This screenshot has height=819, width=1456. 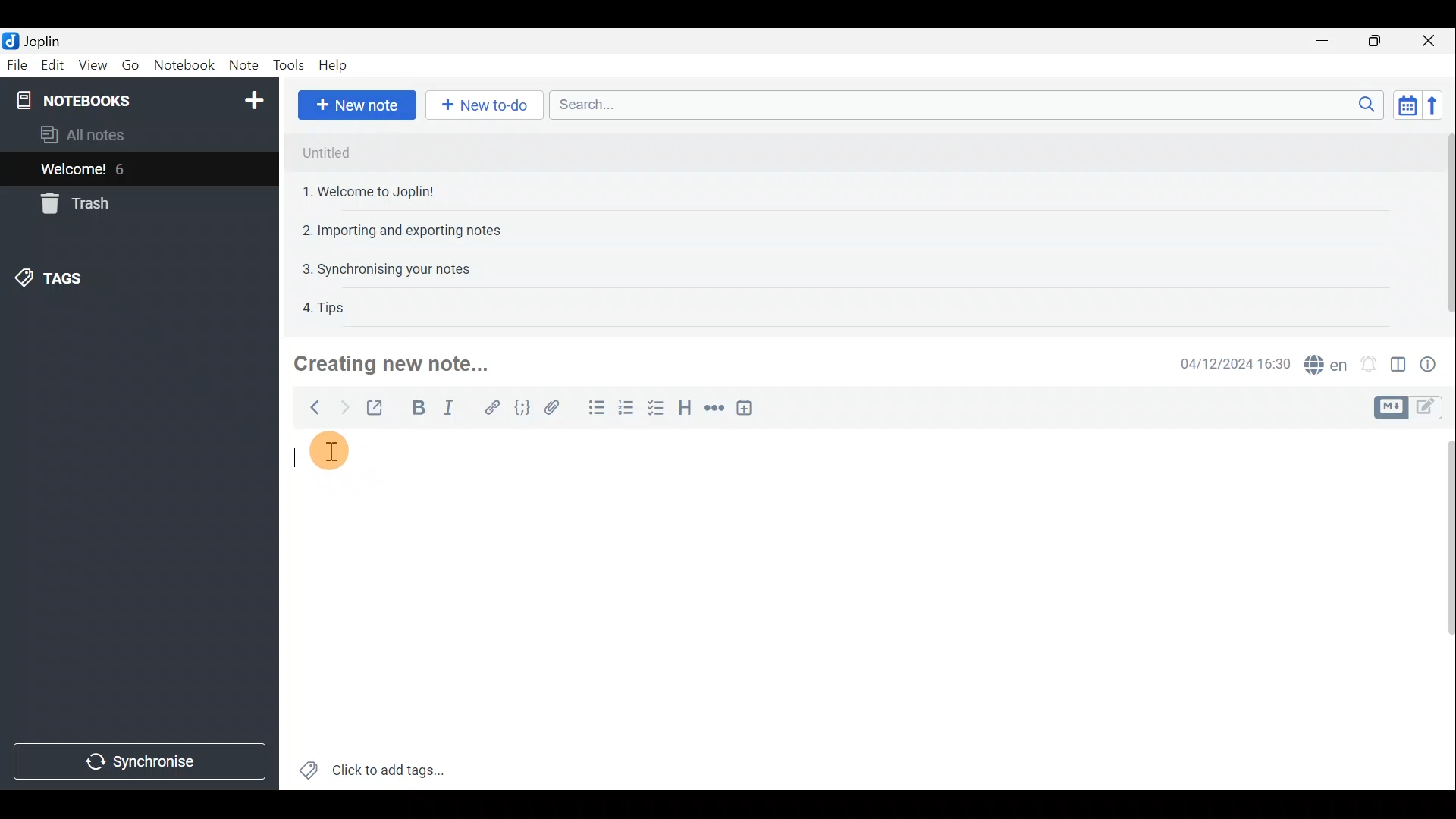 I want to click on Minimise, so click(x=1325, y=40).